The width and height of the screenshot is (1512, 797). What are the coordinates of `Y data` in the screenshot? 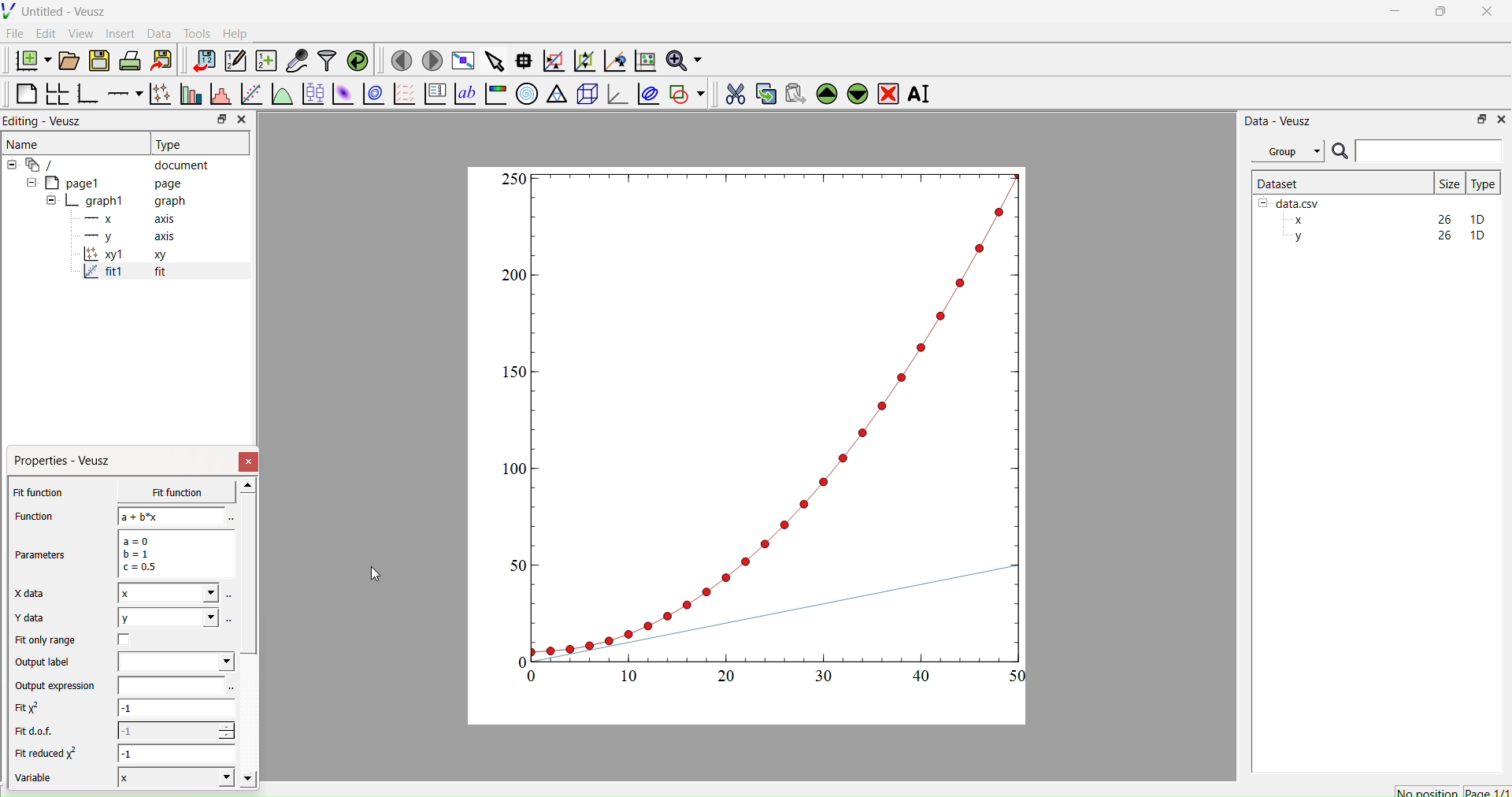 It's located at (39, 618).